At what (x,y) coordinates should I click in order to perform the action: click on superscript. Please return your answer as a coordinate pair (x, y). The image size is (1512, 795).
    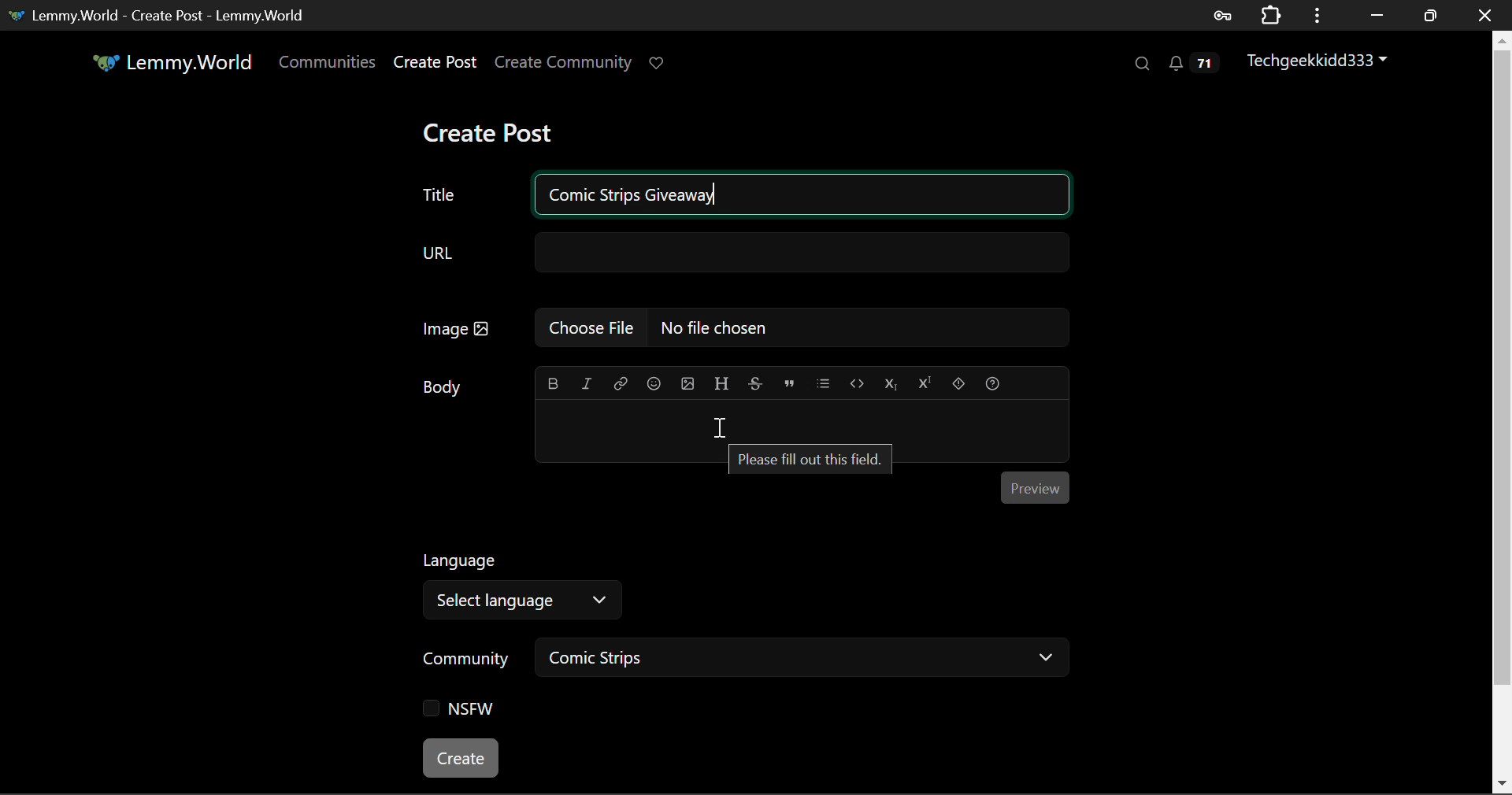
    Looking at the image, I should click on (926, 381).